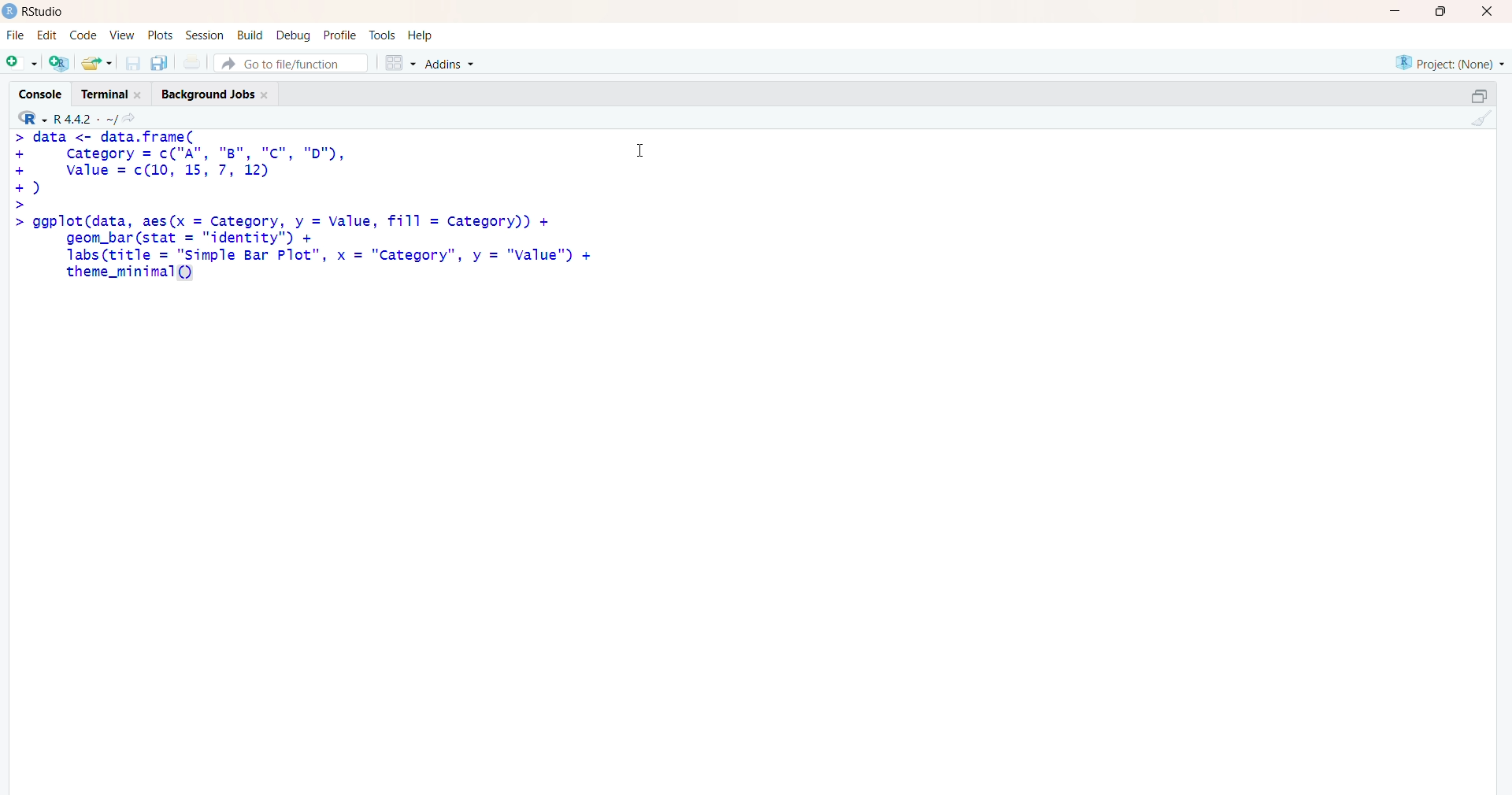 The image size is (1512, 795). I want to click on Terminal, so click(109, 92).